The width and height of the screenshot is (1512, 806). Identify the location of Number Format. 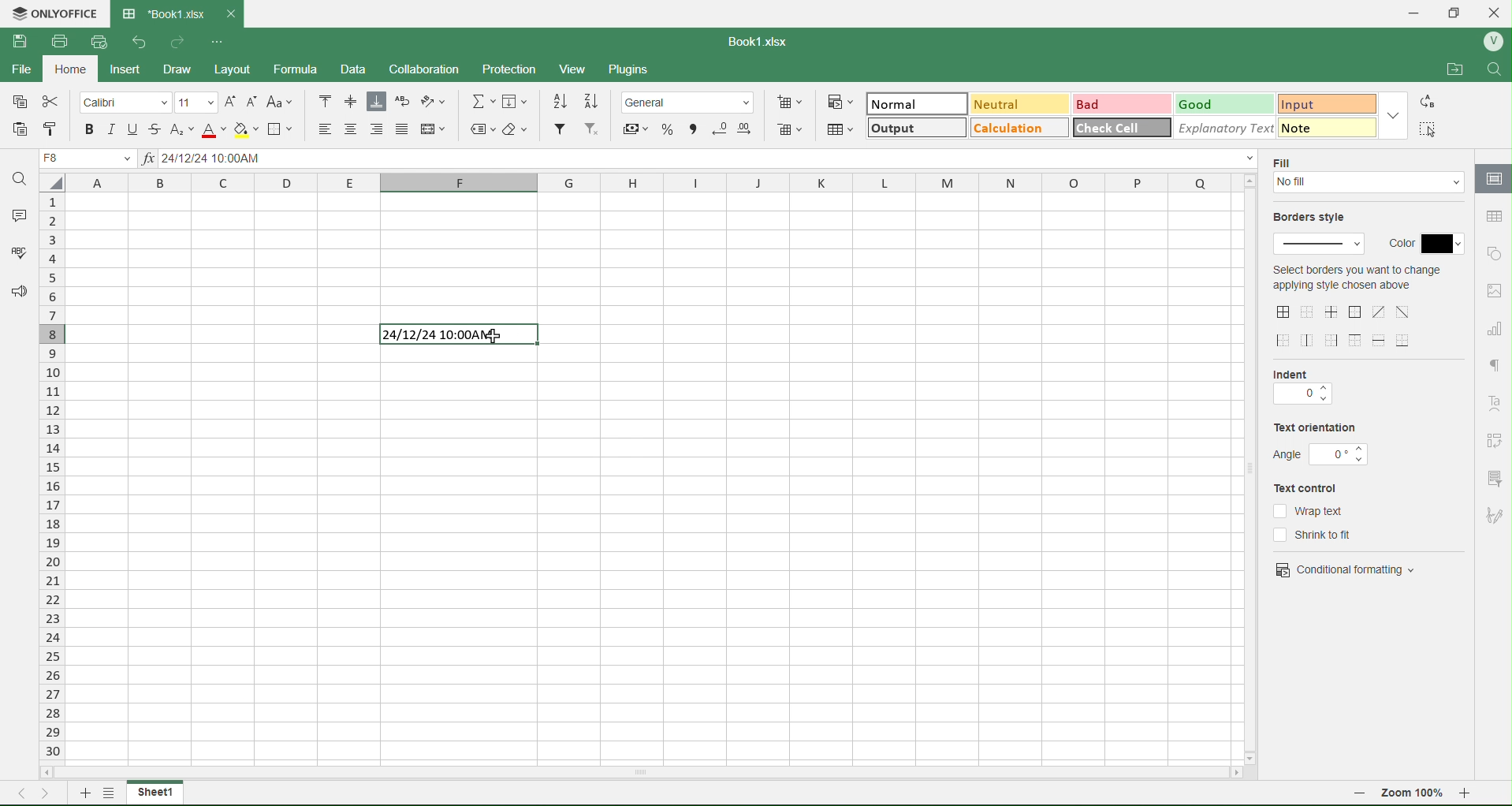
(691, 101).